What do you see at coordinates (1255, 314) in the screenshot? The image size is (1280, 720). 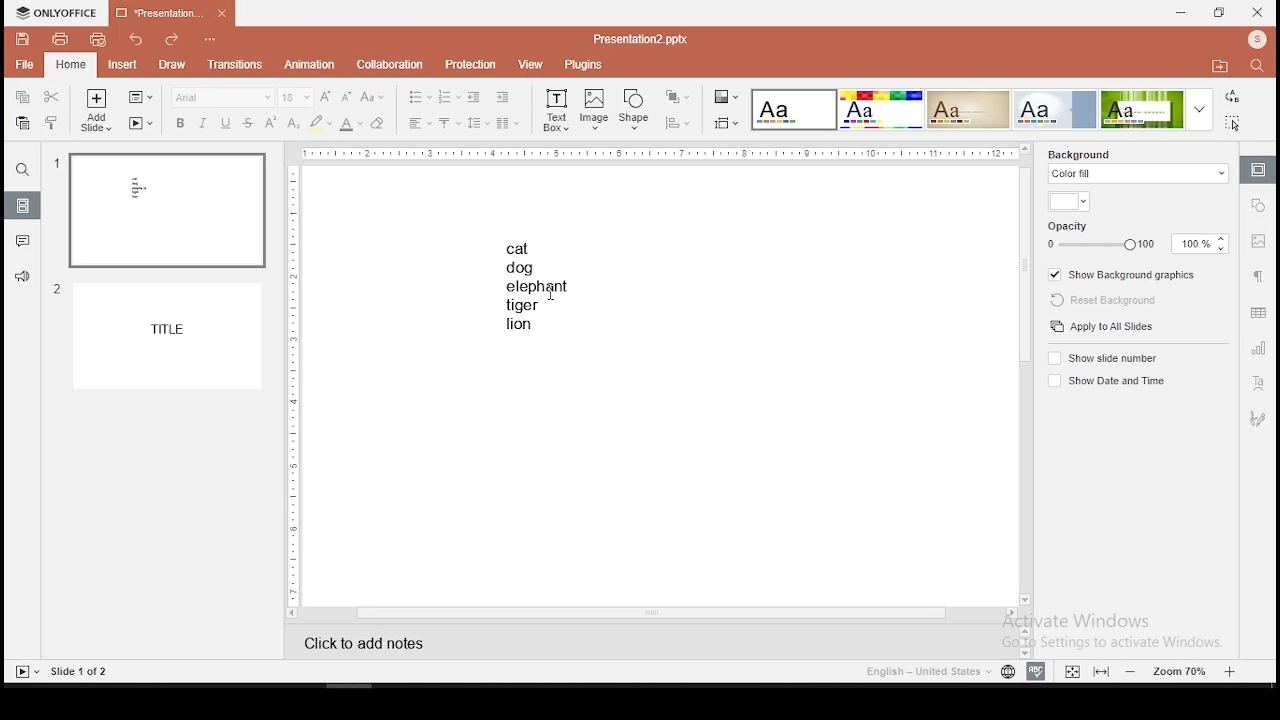 I see `table settings` at bounding box center [1255, 314].